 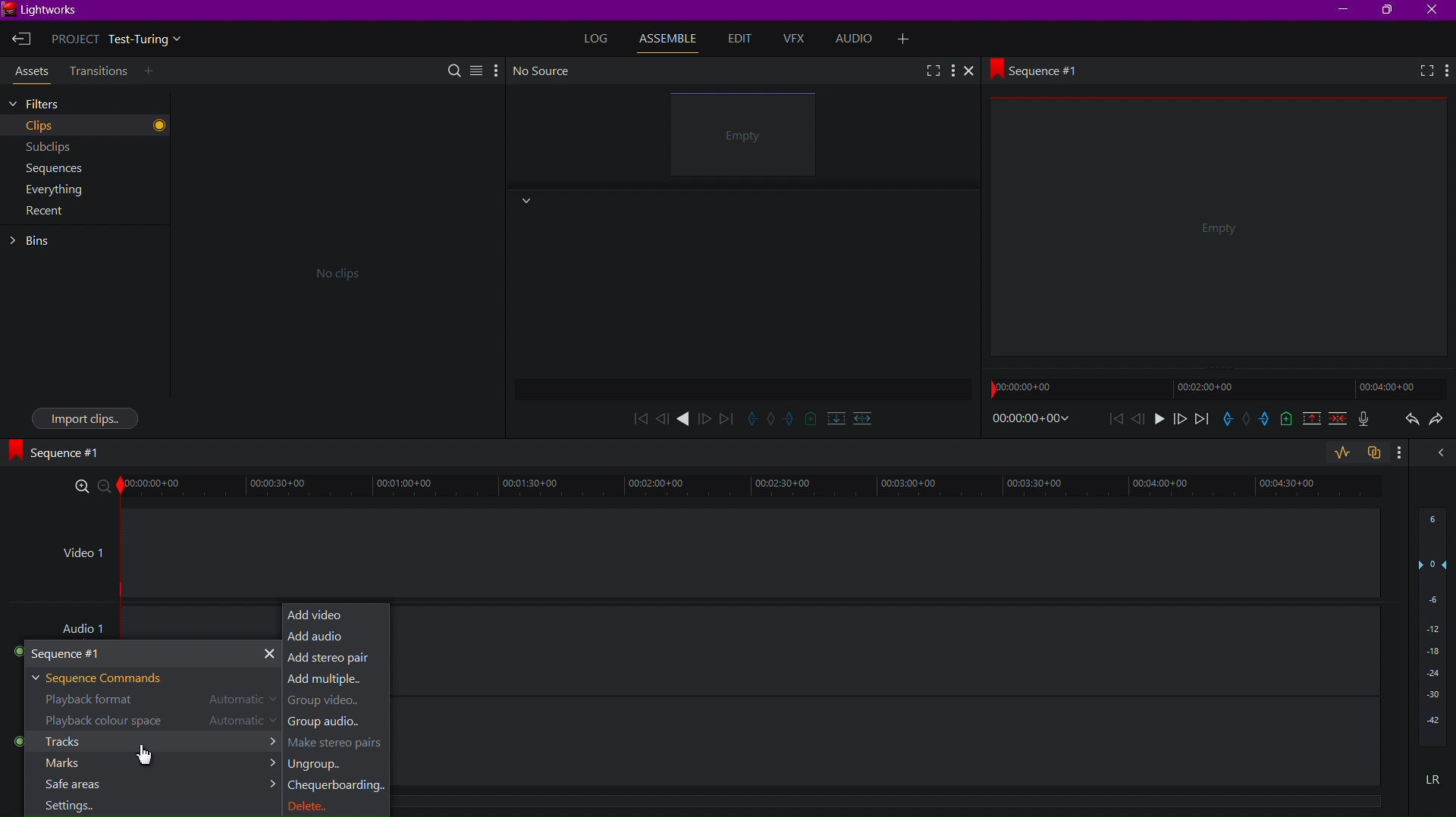 I want to click on slip edit, so click(x=791, y=420).